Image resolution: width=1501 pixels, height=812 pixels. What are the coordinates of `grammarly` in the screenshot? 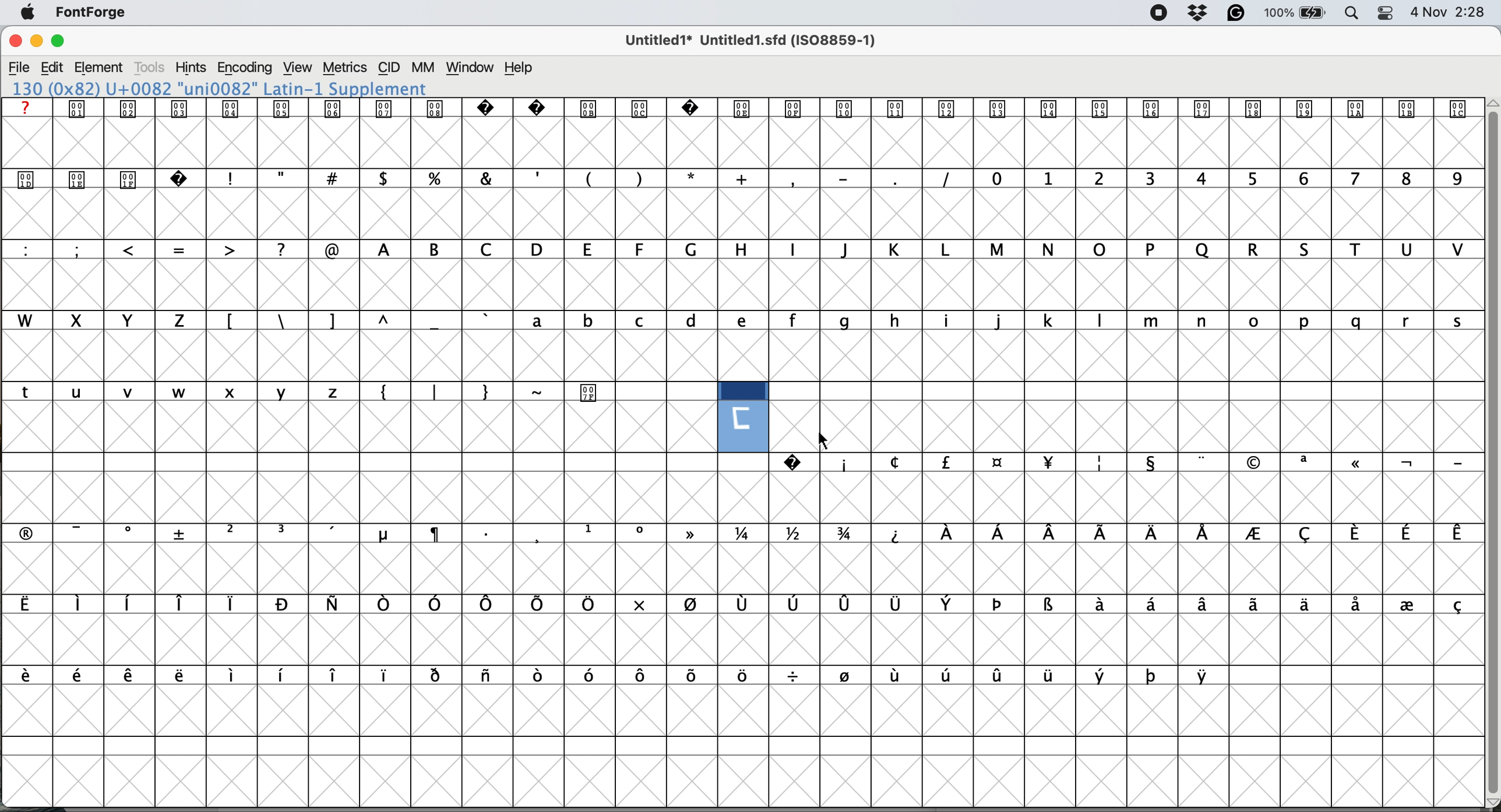 It's located at (1238, 14).